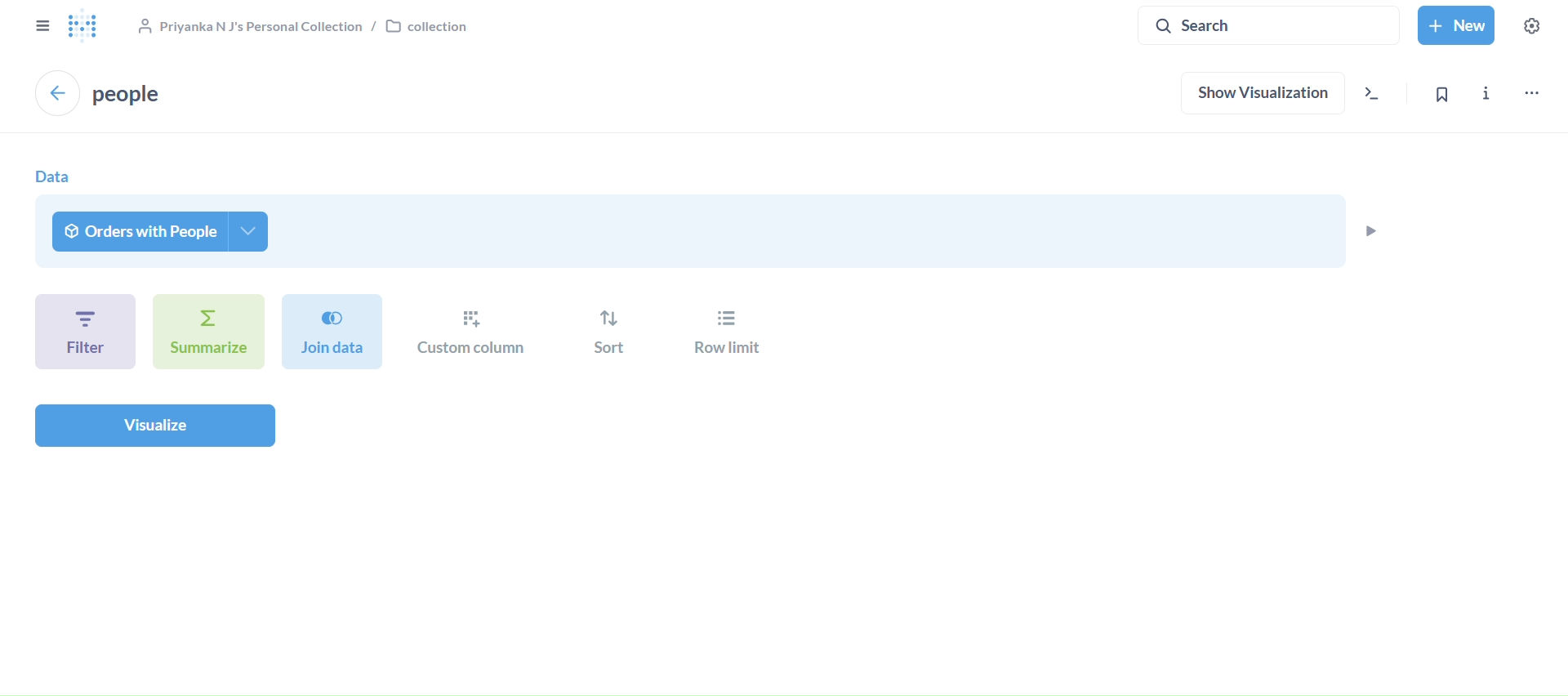 The height and width of the screenshot is (696, 1568). I want to click on join data, so click(333, 330).